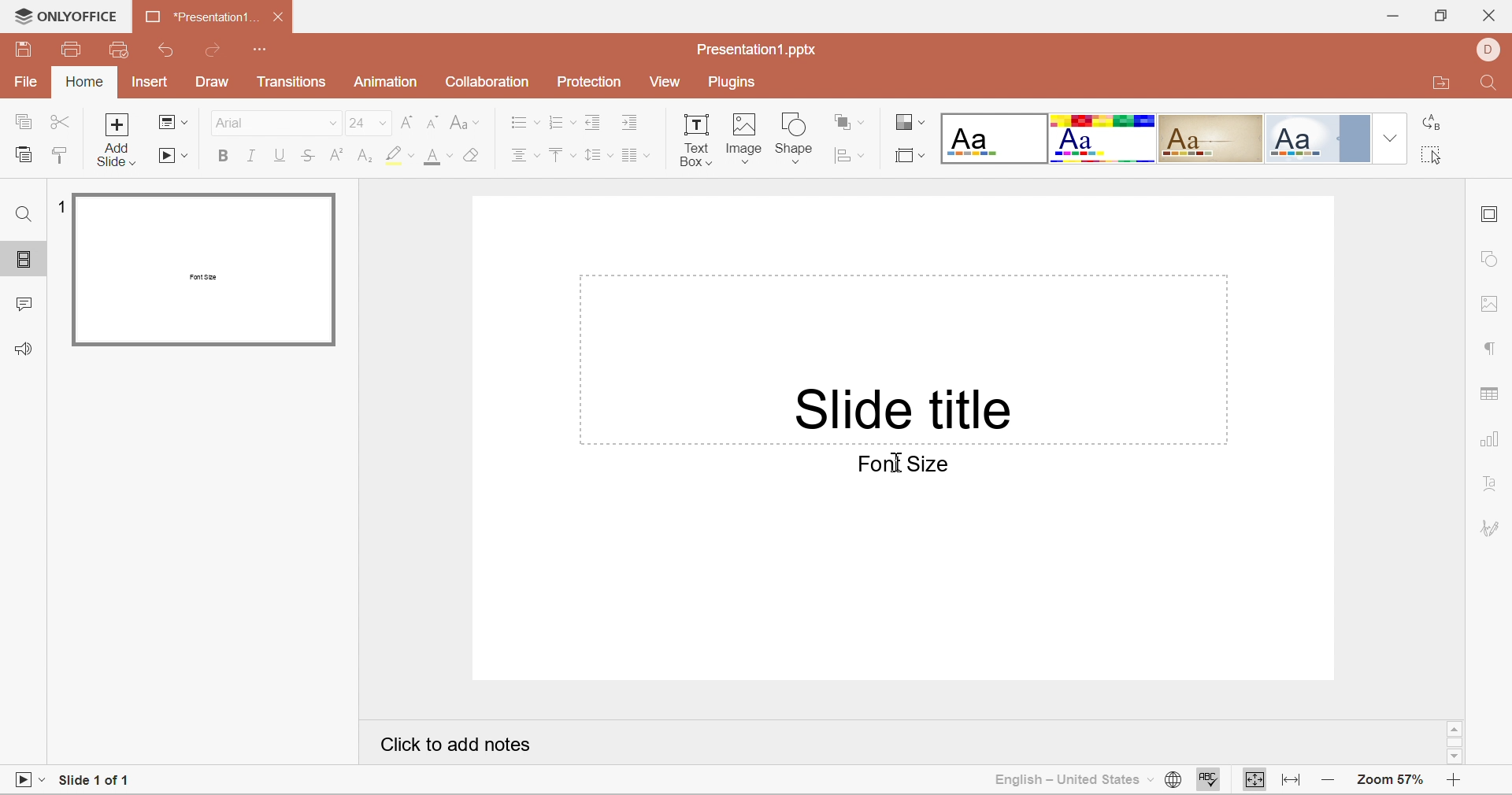 This screenshot has width=1512, height=795. What do you see at coordinates (848, 157) in the screenshot?
I see `Align shape` at bounding box center [848, 157].